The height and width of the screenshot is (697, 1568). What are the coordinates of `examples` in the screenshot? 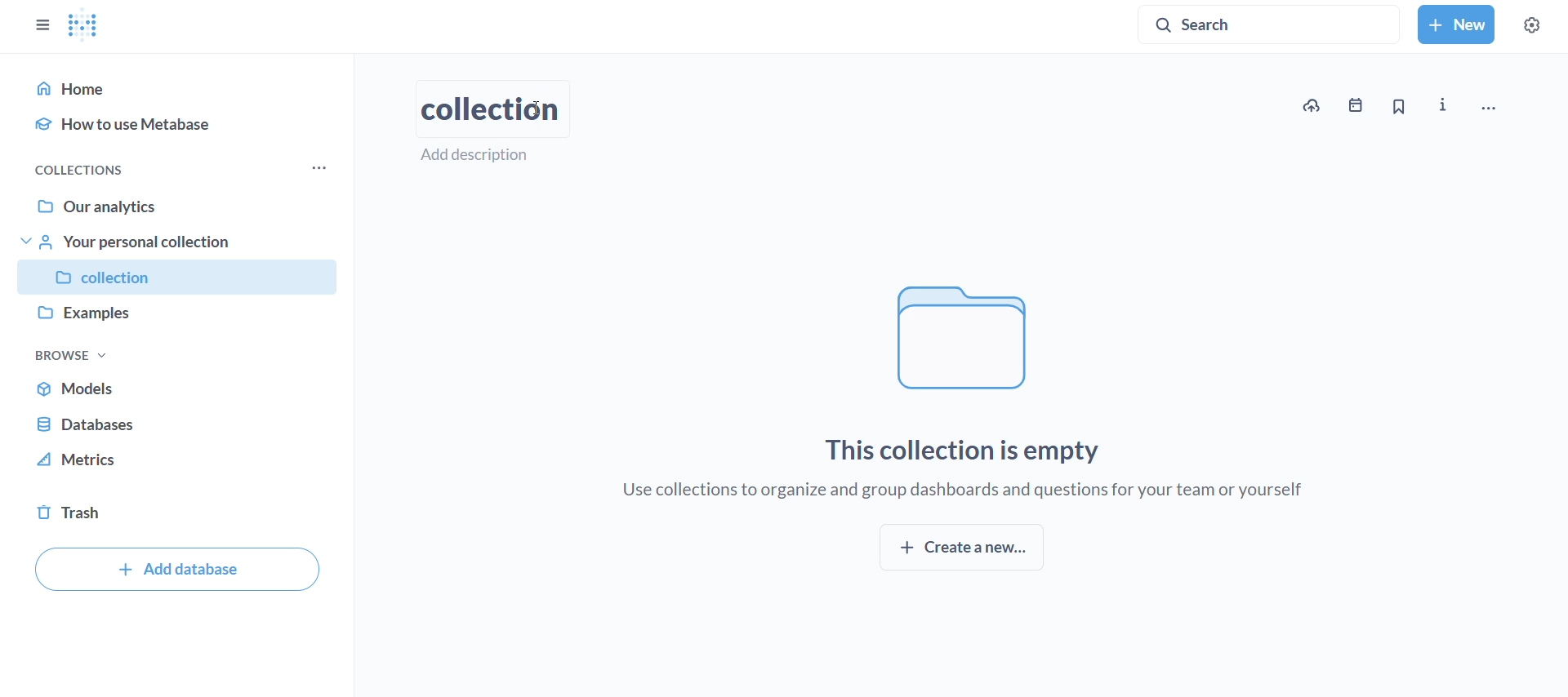 It's located at (183, 317).